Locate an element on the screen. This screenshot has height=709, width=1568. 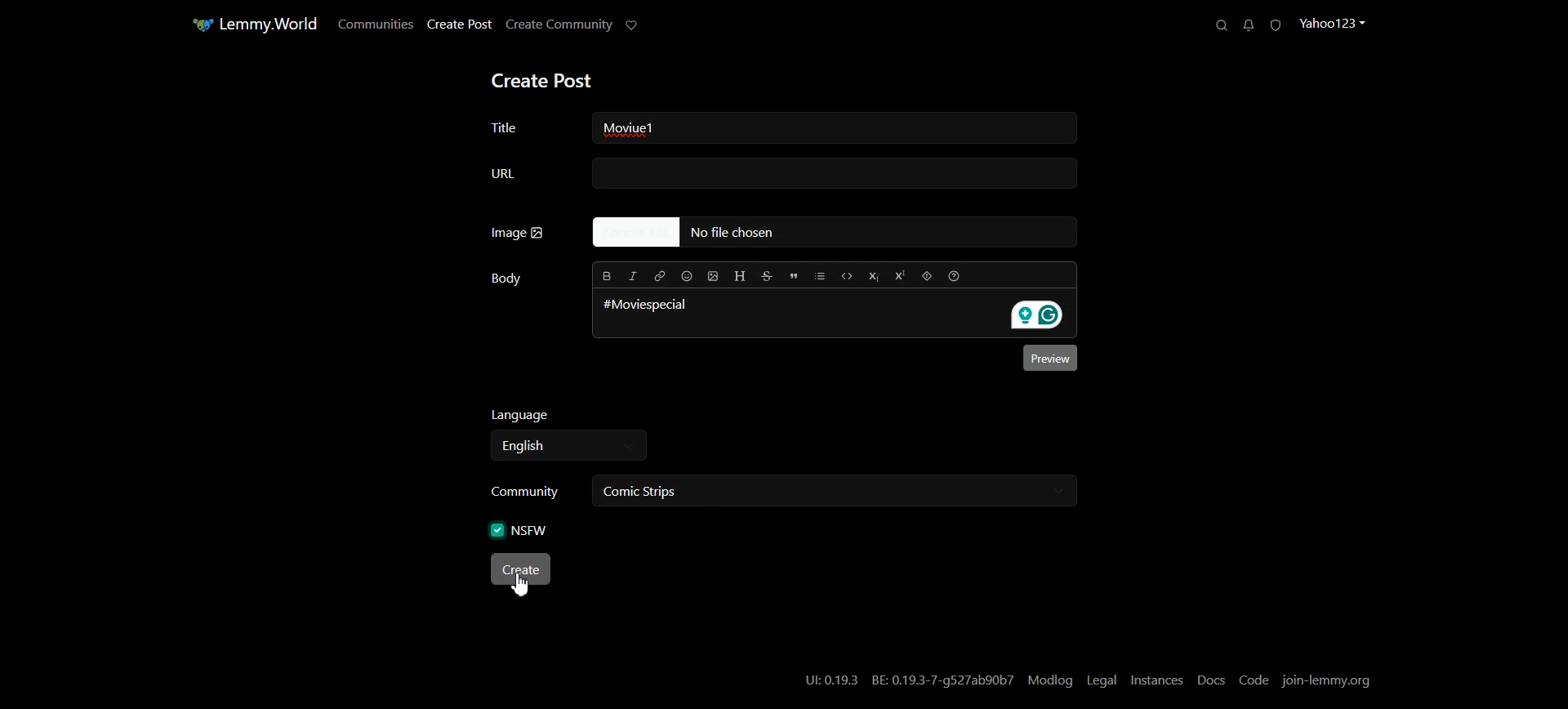
Bold  is located at coordinates (604, 276).